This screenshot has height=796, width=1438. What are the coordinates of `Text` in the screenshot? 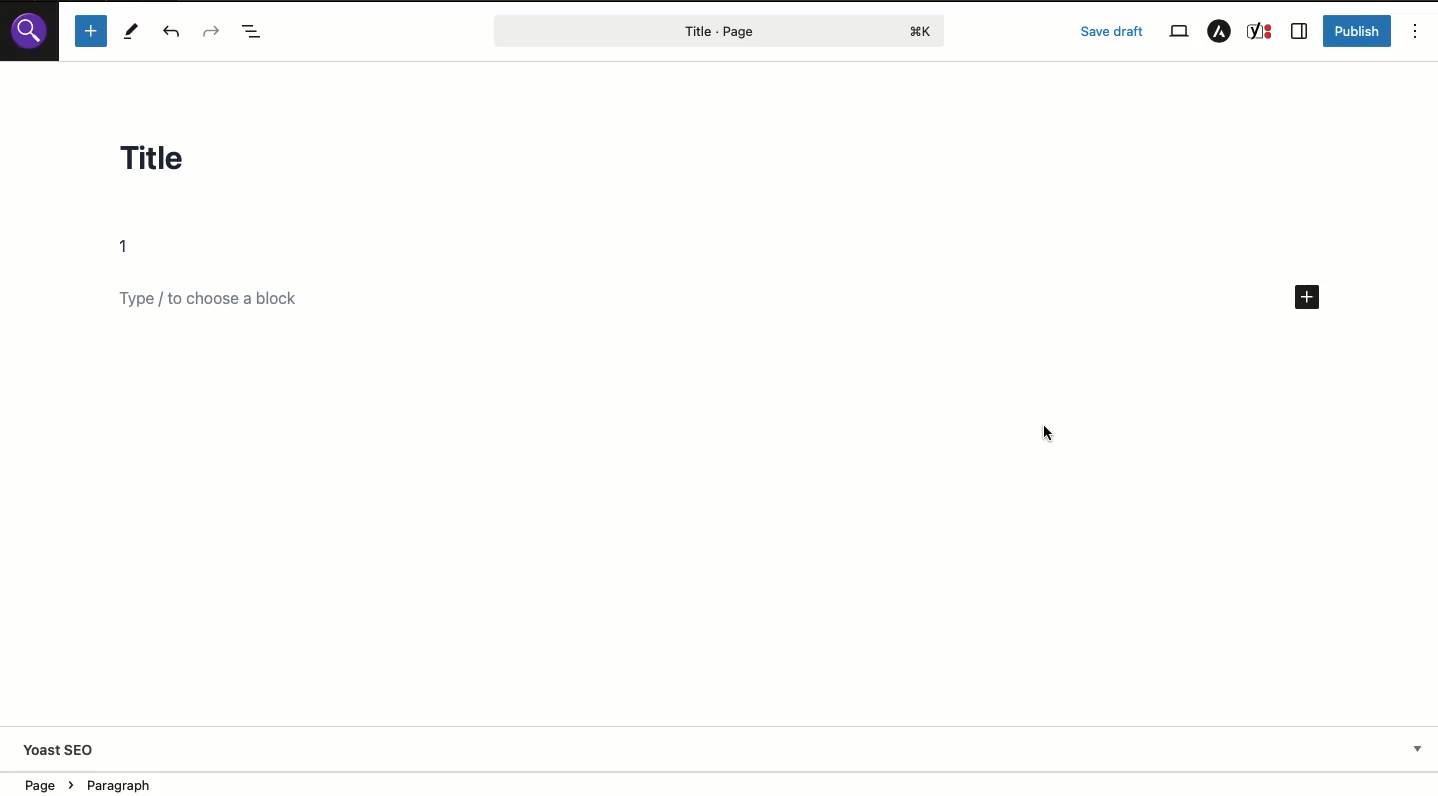 It's located at (131, 247).